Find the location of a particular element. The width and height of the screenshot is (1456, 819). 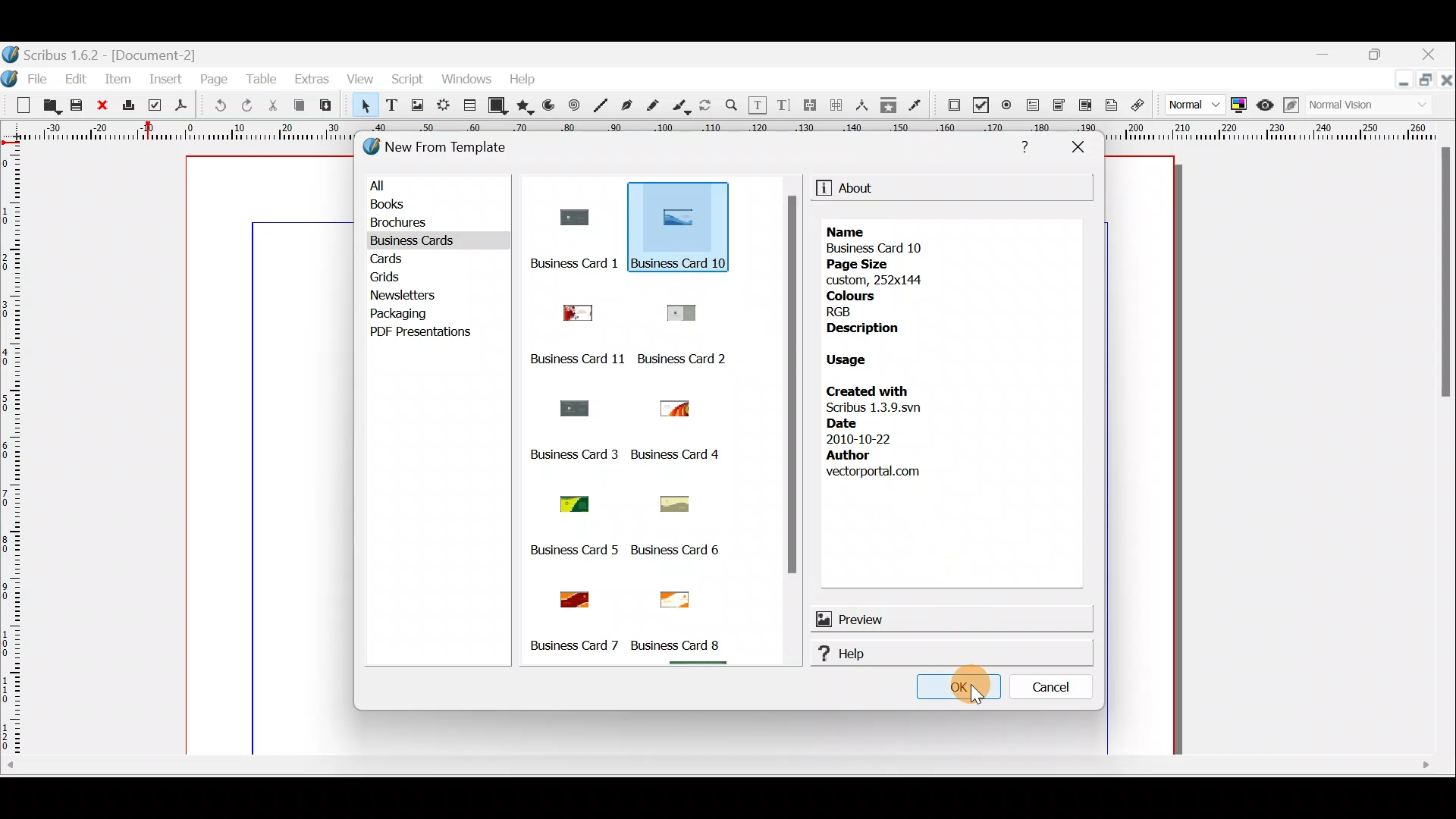

Business card image is located at coordinates (670, 409).